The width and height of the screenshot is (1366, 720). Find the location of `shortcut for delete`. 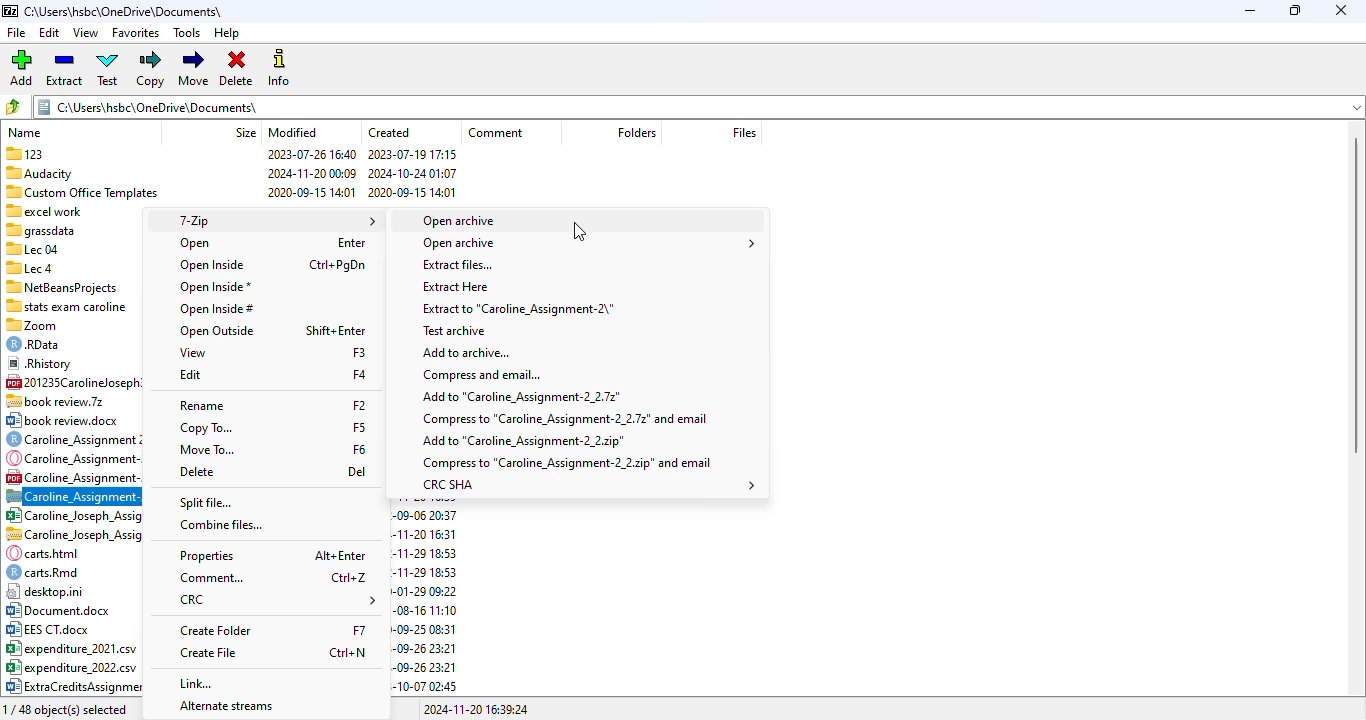

shortcut for delete is located at coordinates (357, 471).